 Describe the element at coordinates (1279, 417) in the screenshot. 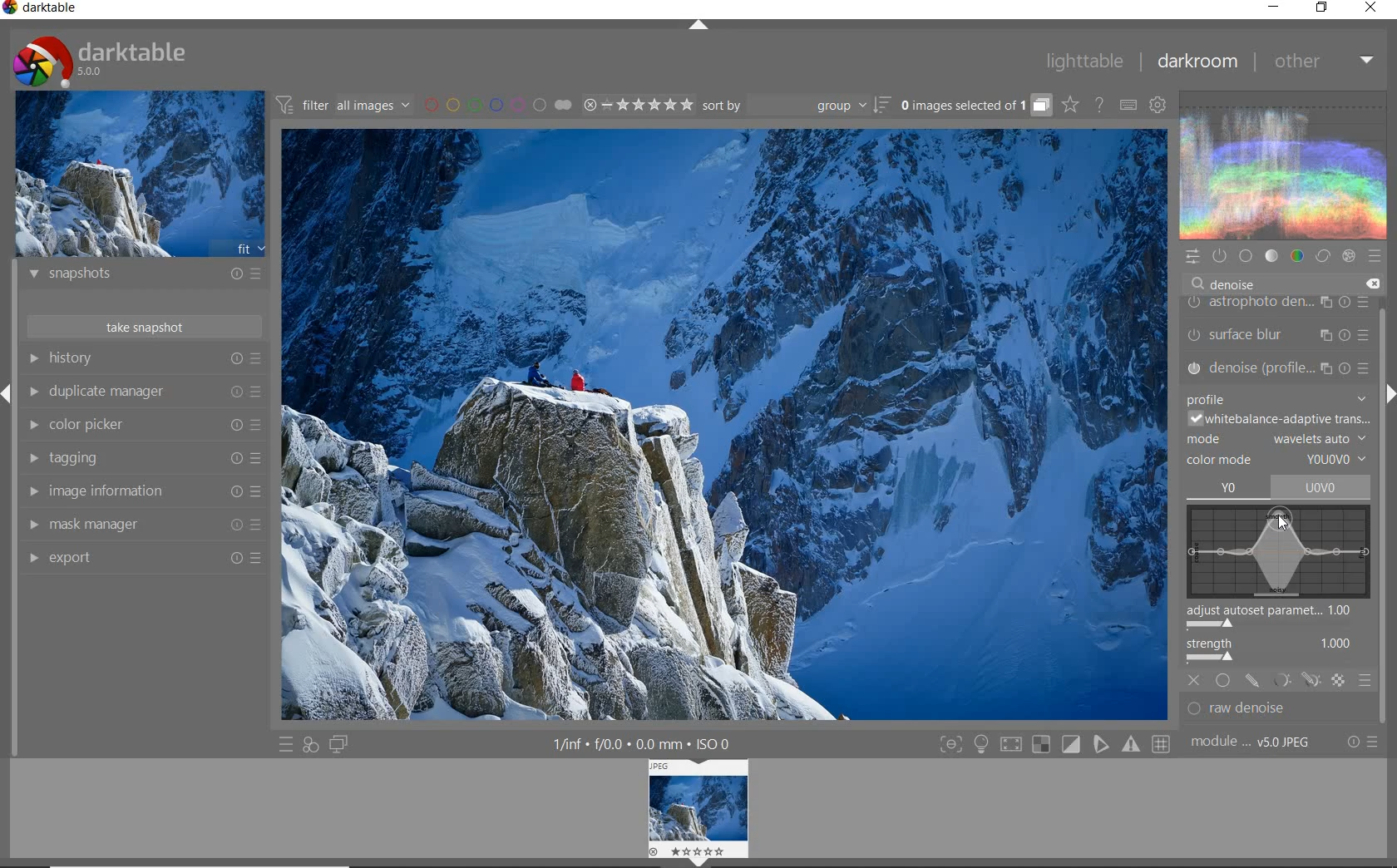

I see `WHITEBALANCE-ADAPTIVE TRANS...` at that location.